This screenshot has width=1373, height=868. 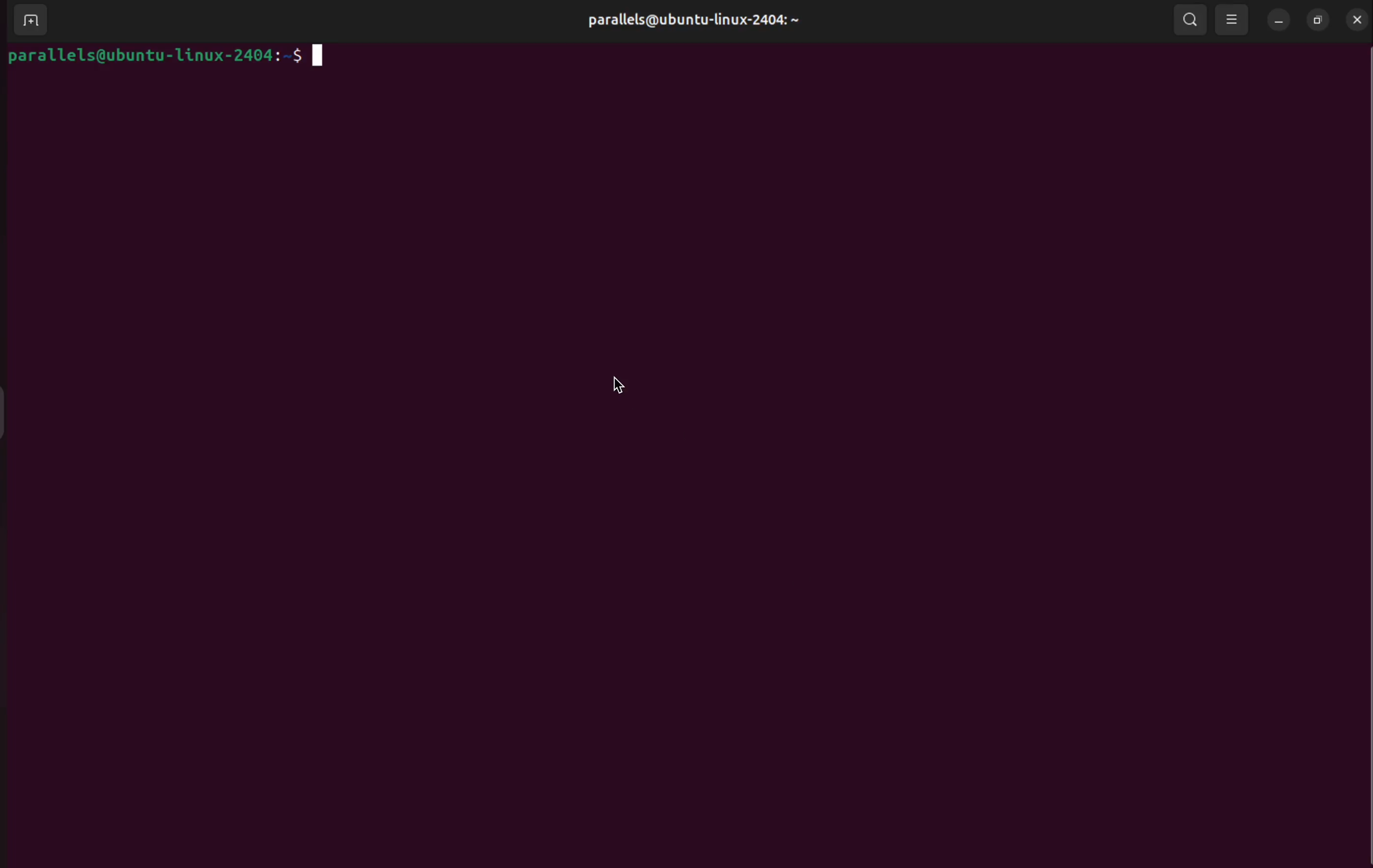 I want to click on Scrollbar, so click(x=1364, y=434).